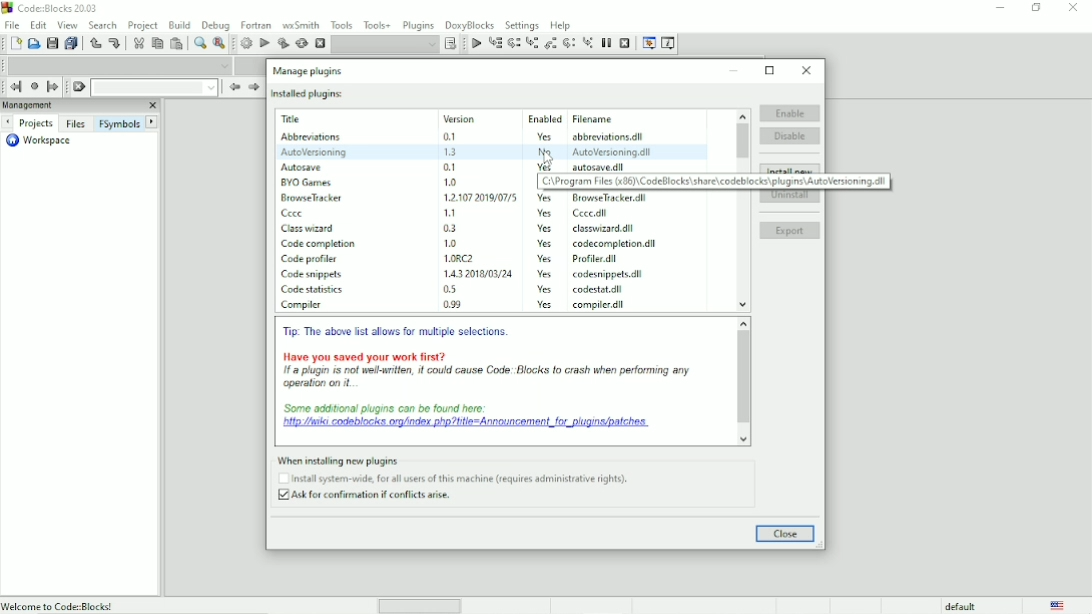  What do you see at coordinates (143, 26) in the screenshot?
I see `Project` at bounding box center [143, 26].